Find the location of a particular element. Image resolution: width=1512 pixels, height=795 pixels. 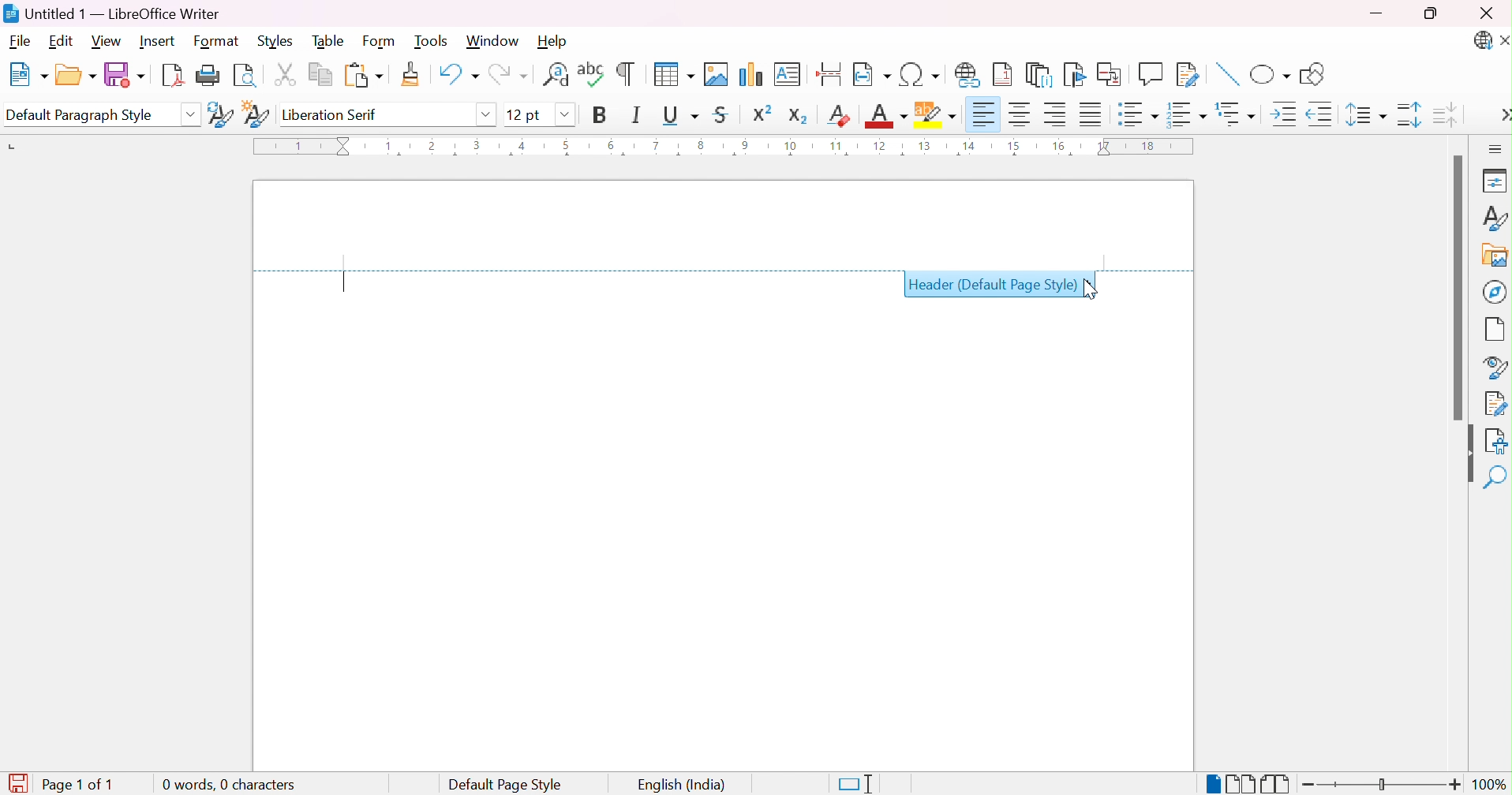

File is located at coordinates (19, 42).